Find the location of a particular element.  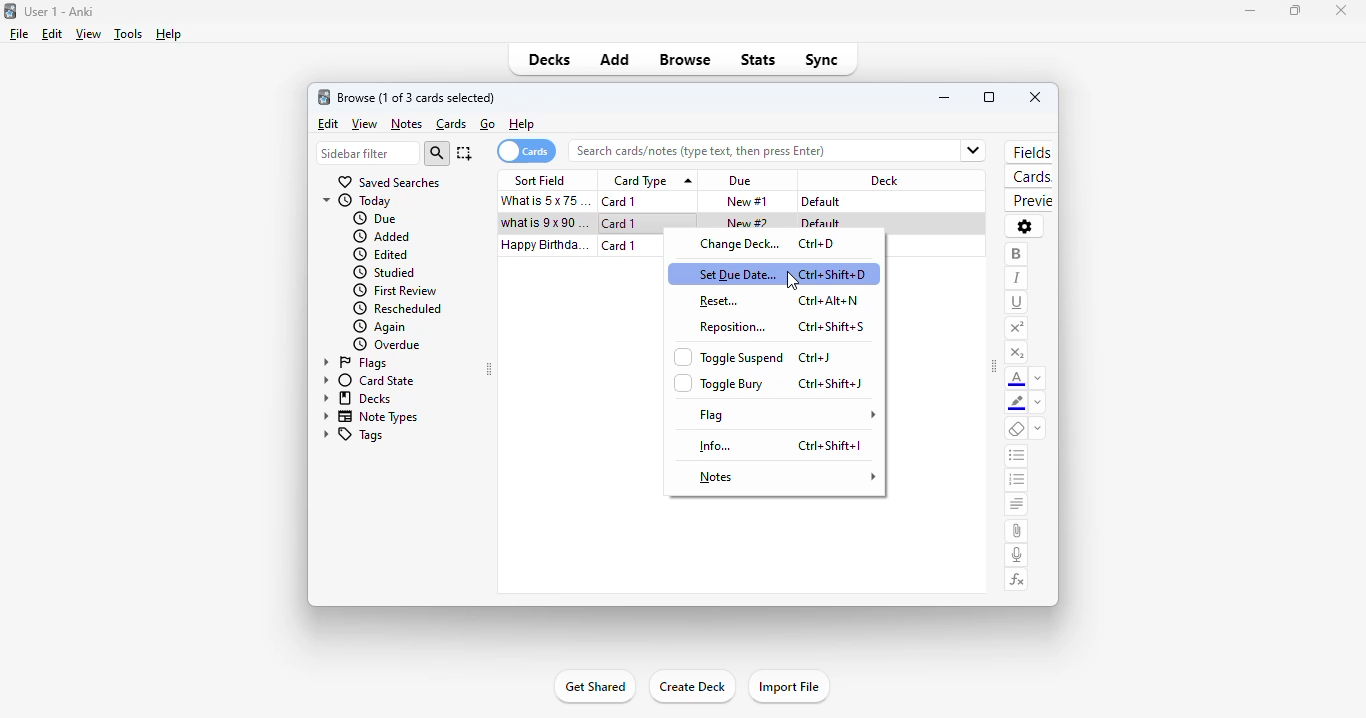

remove formatting is located at coordinates (1017, 429).